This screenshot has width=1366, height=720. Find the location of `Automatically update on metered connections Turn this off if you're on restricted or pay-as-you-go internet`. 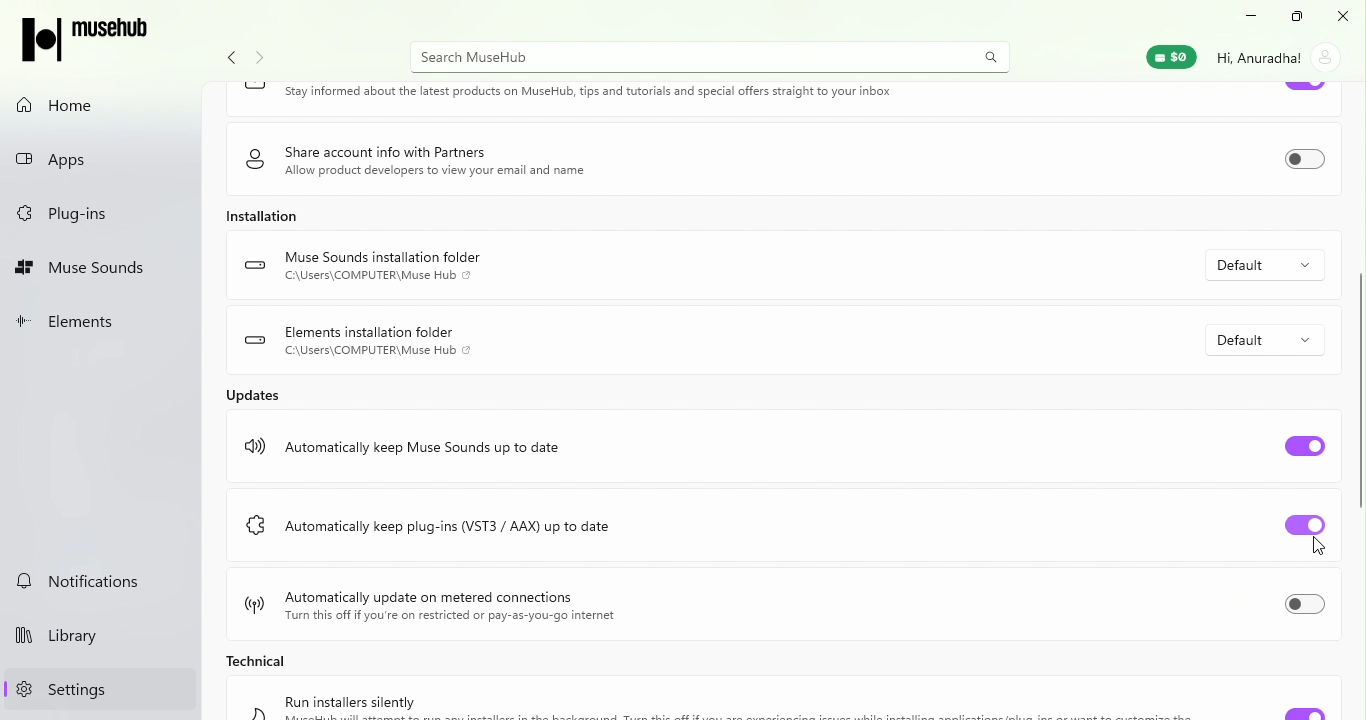

Automatically update on metered connections Turn this off if you're on restricted or pay-as-you-go internet is located at coordinates (458, 607).